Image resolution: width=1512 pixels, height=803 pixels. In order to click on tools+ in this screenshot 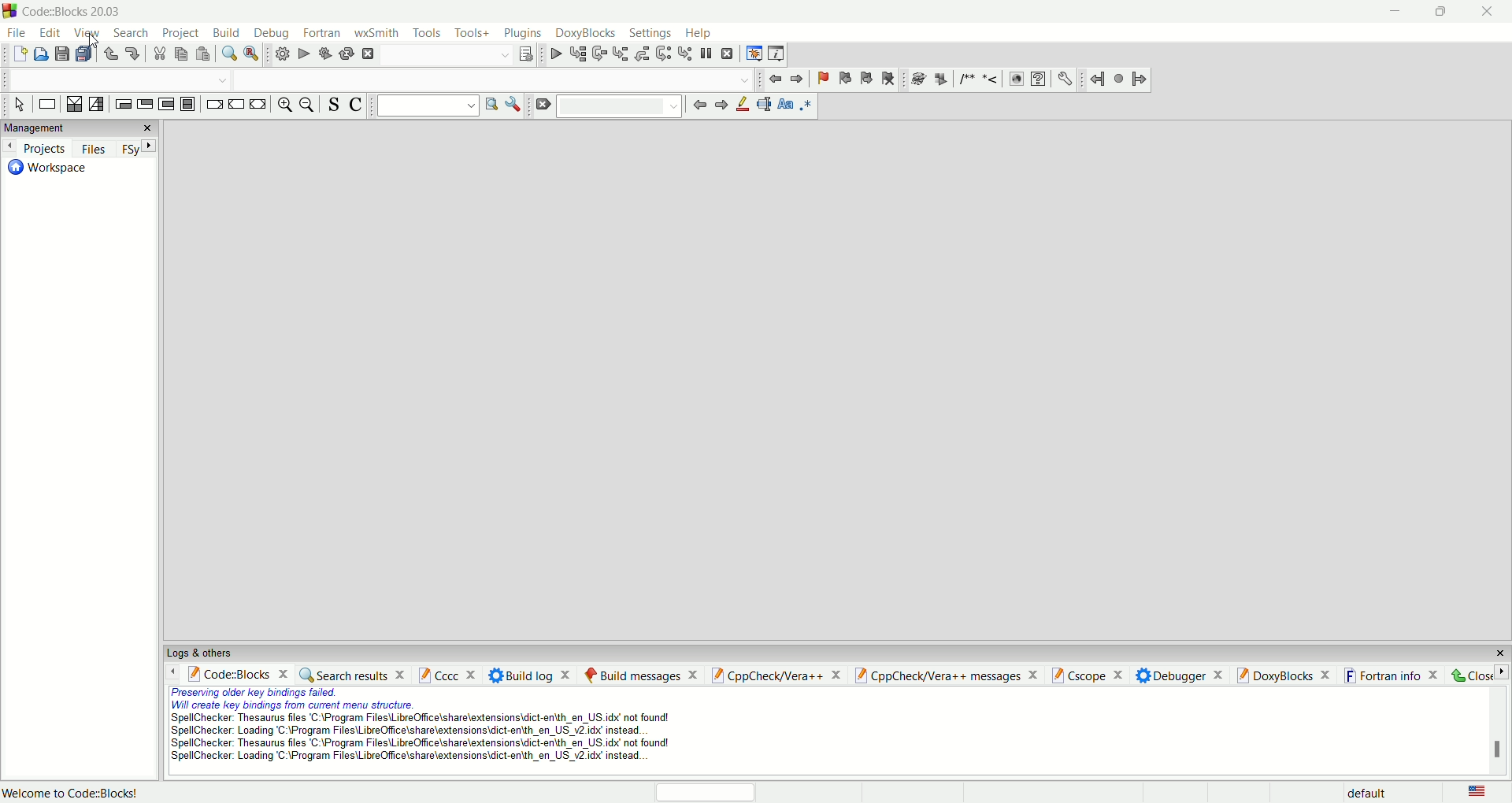, I will do `click(472, 31)`.